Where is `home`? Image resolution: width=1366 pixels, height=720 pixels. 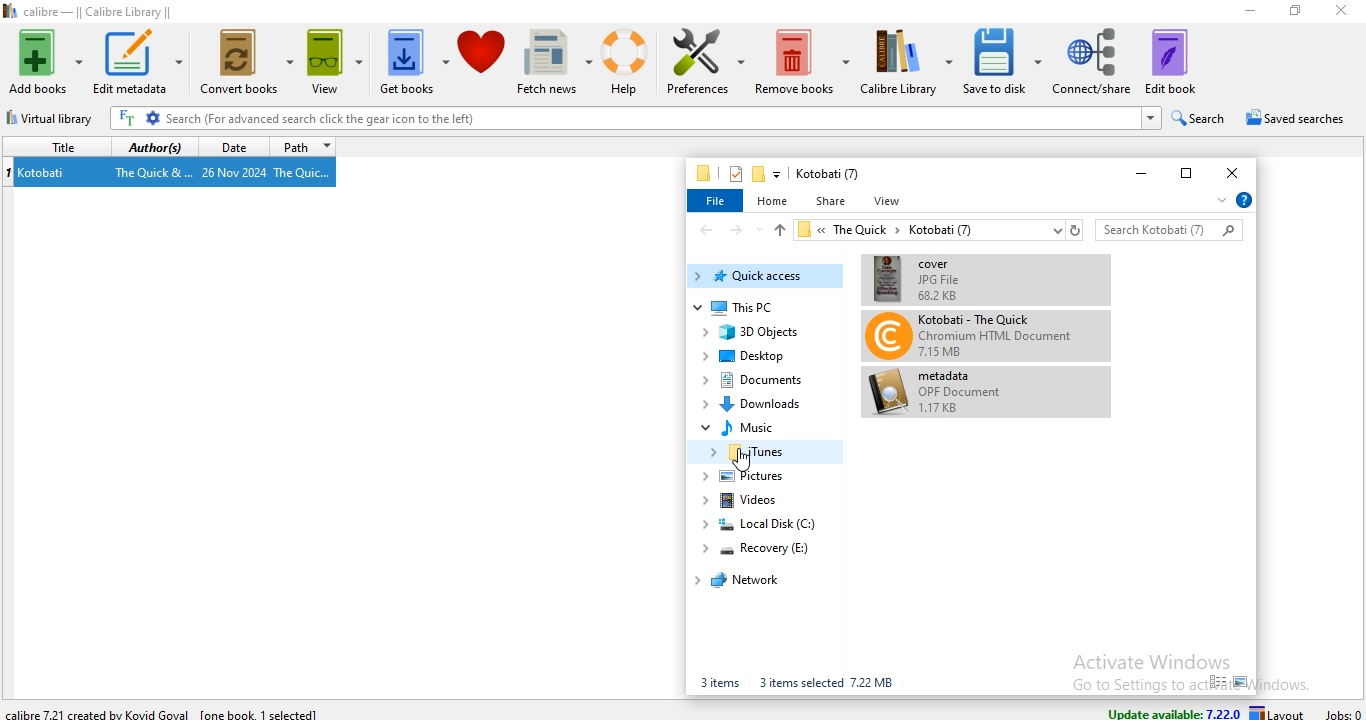 home is located at coordinates (774, 199).